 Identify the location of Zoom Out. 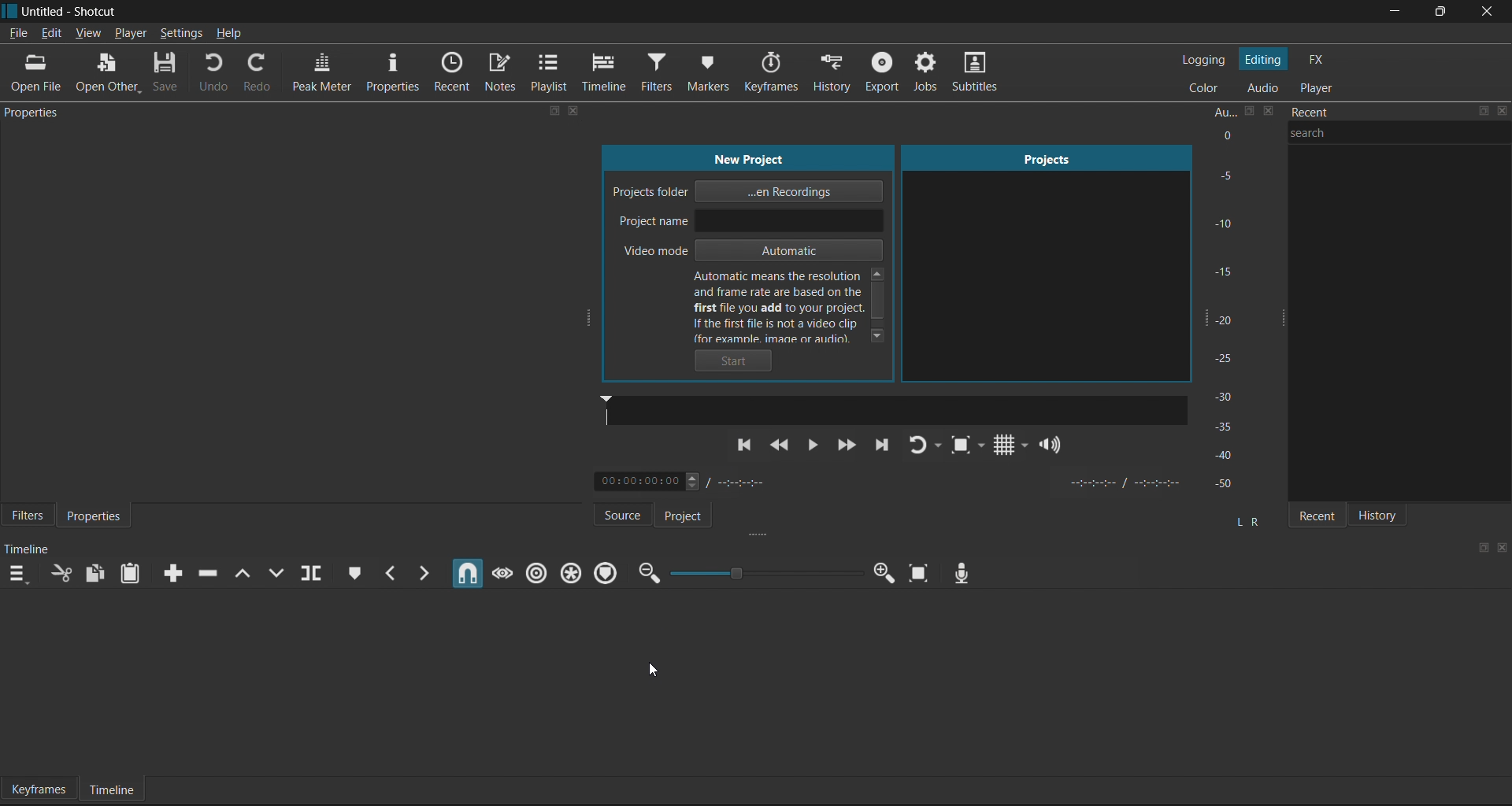
(647, 575).